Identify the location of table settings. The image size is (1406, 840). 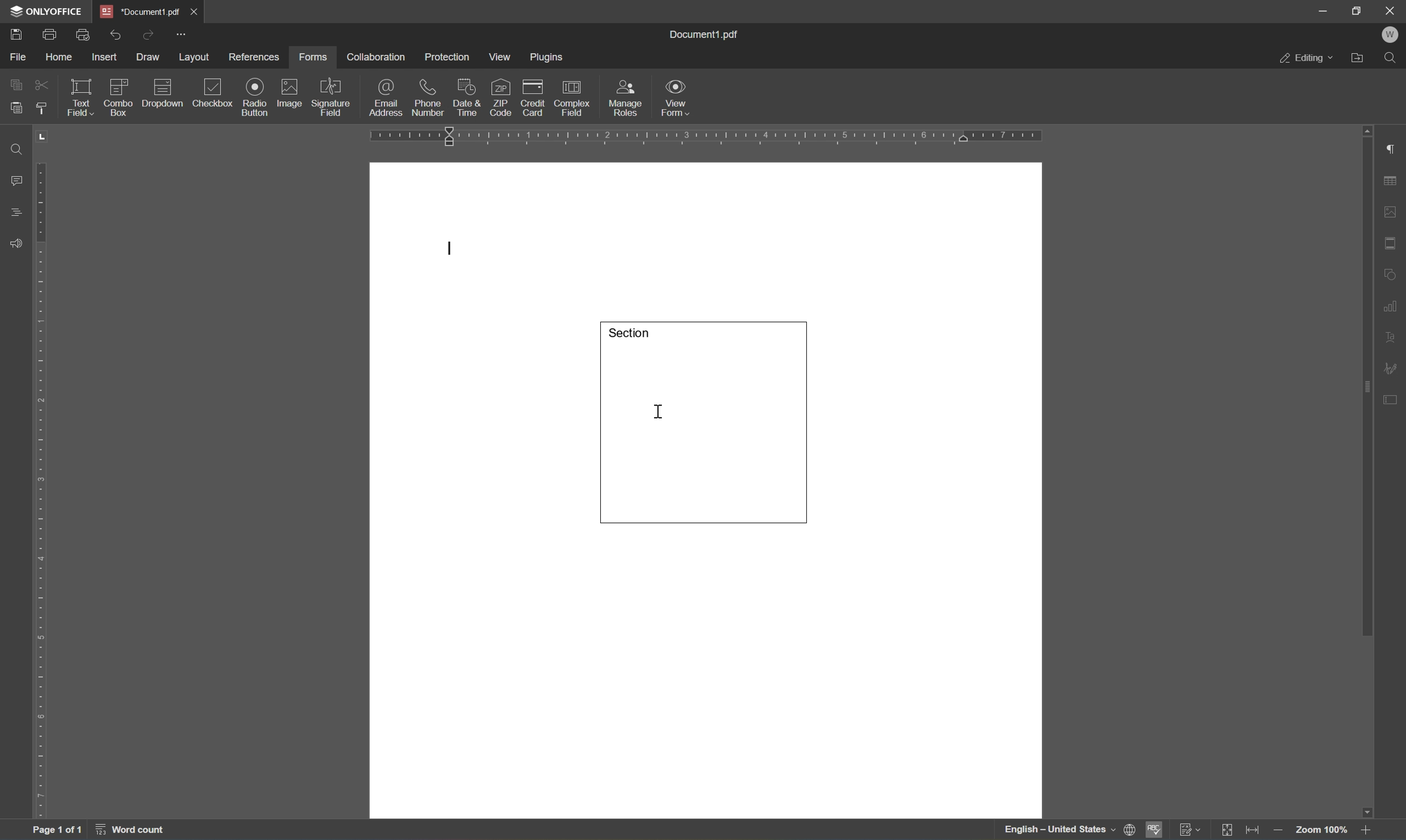
(1391, 183).